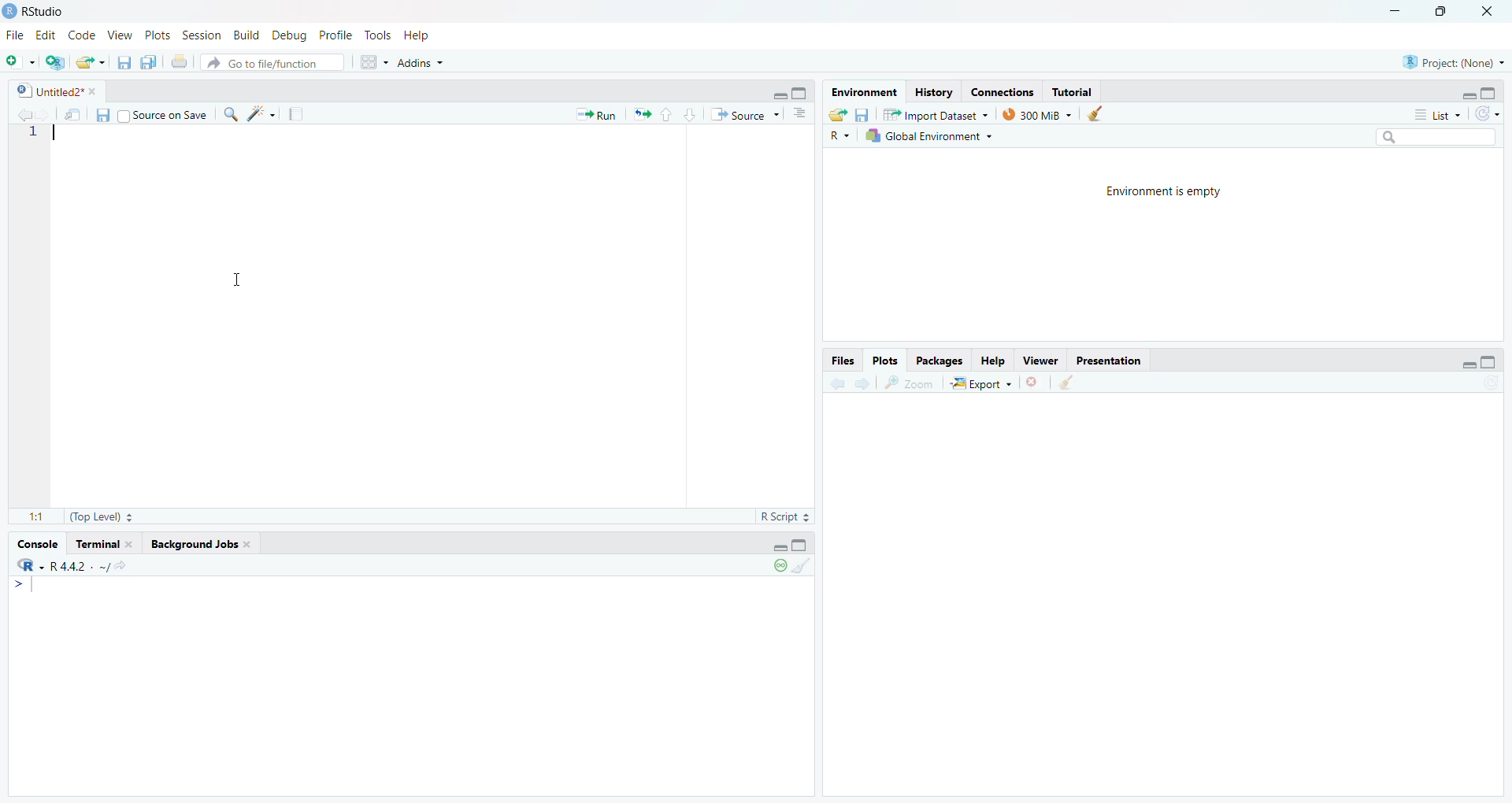 This screenshot has width=1512, height=803. I want to click on typing cursor, so click(31, 587).